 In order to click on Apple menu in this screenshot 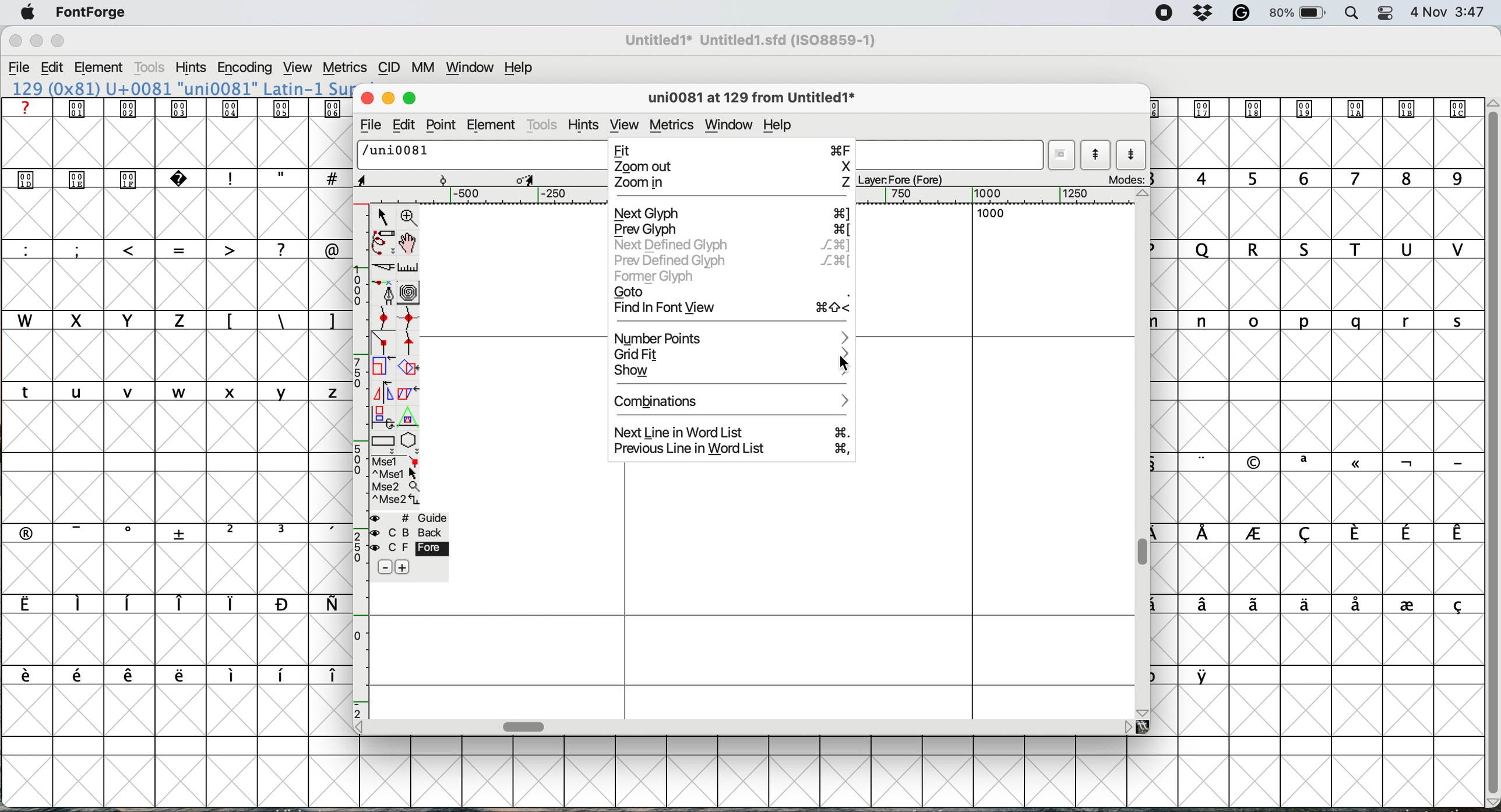, I will do `click(27, 13)`.